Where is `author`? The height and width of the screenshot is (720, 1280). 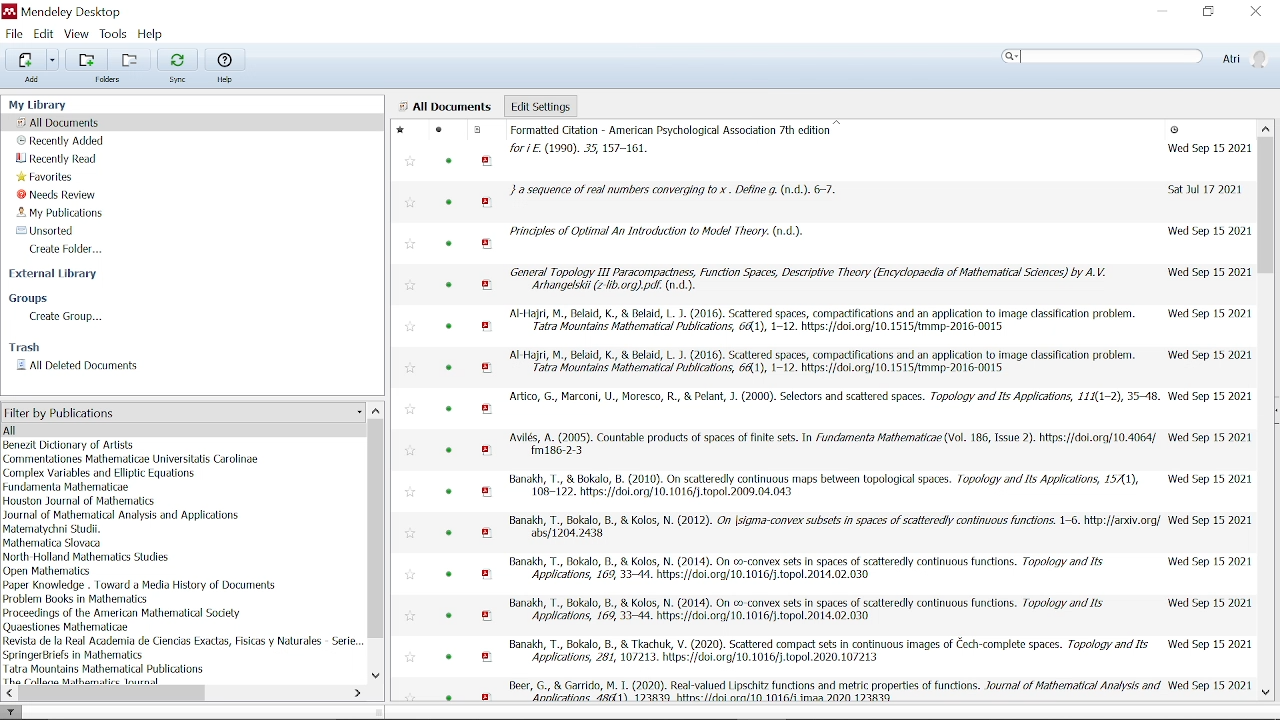
author is located at coordinates (50, 571).